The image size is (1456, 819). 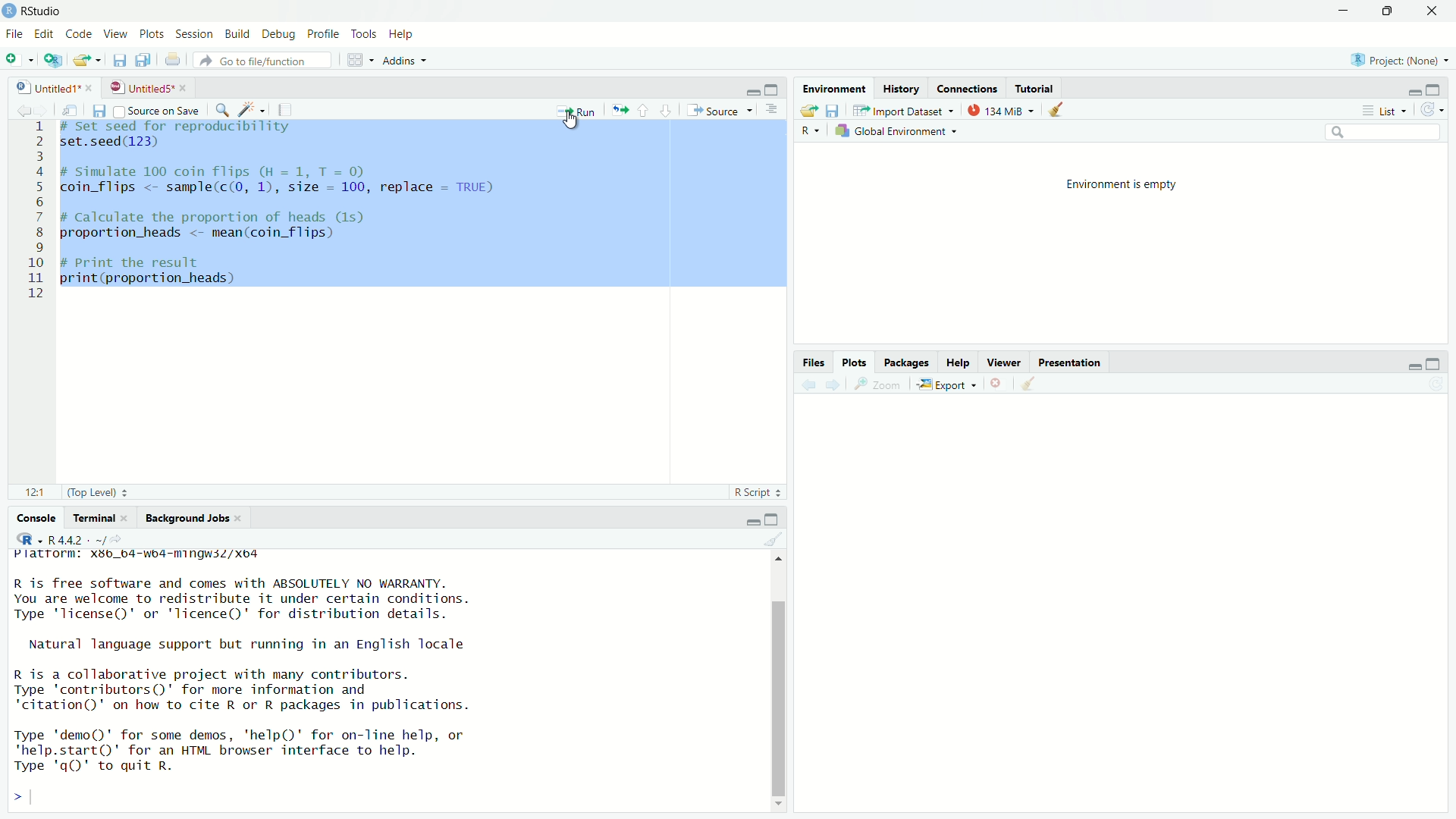 What do you see at coordinates (1403, 60) in the screenshot?
I see `project: (none)` at bounding box center [1403, 60].